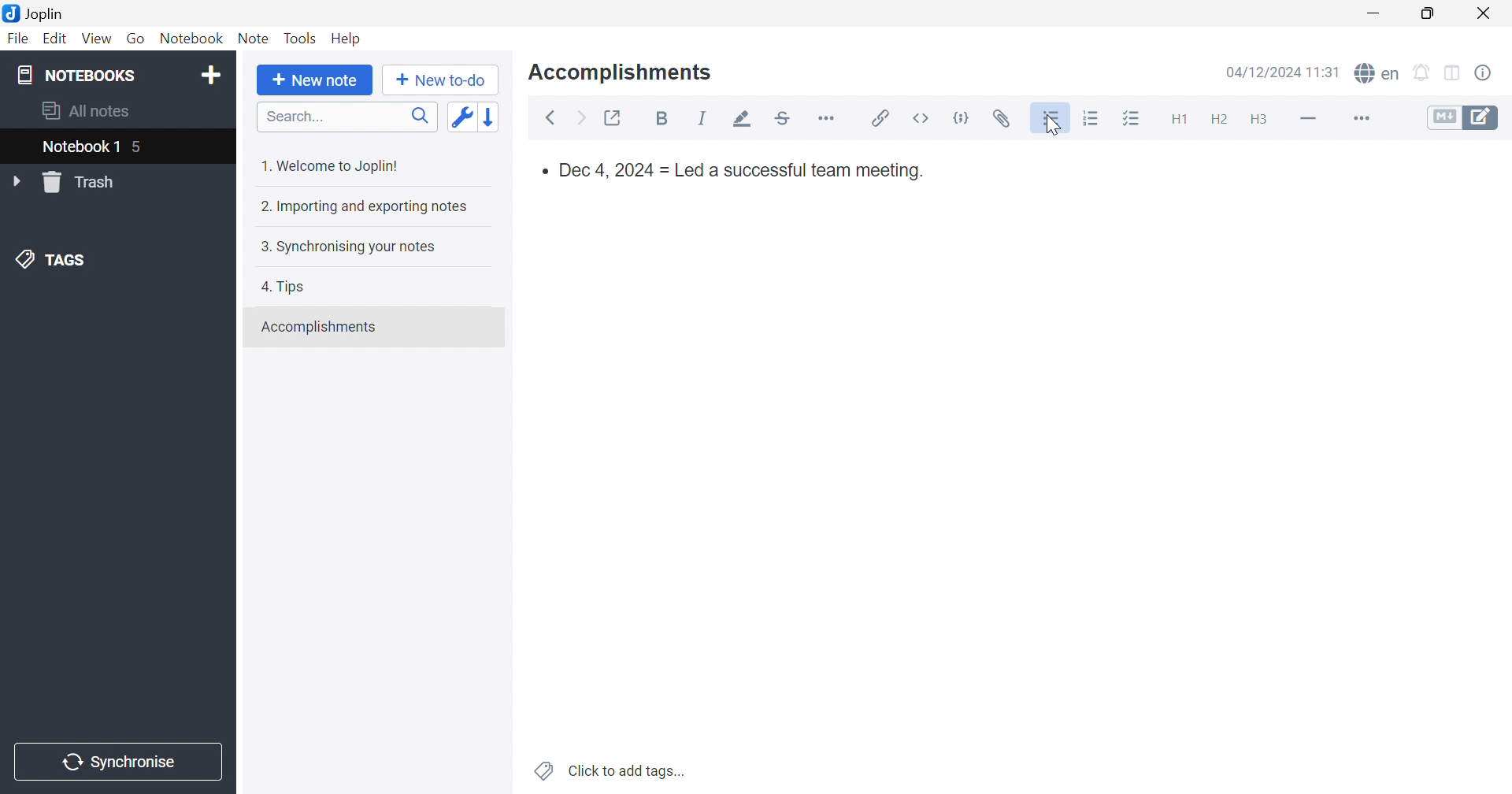 The image size is (1512, 794). I want to click on Synchronise, so click(115, 762).